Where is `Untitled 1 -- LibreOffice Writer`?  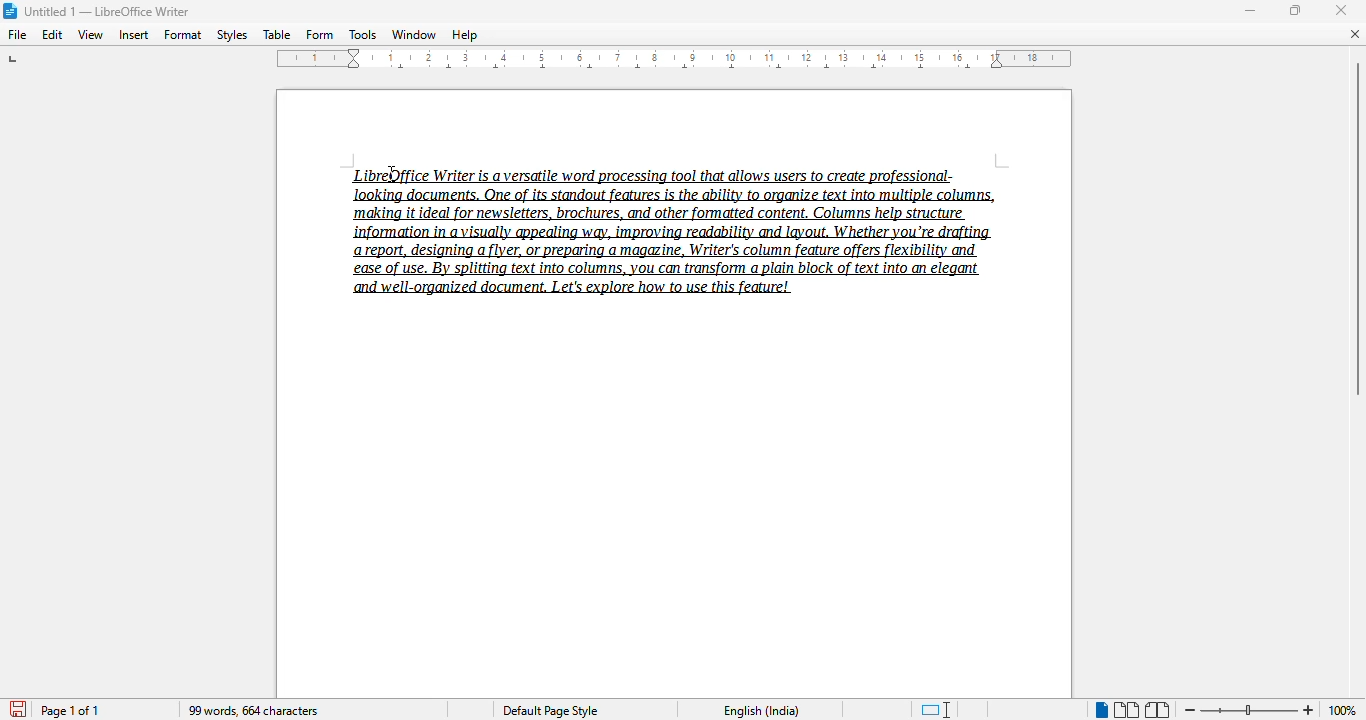 Untitled 1 -- LibreOffice Writer is located at coordinates (110, 13).